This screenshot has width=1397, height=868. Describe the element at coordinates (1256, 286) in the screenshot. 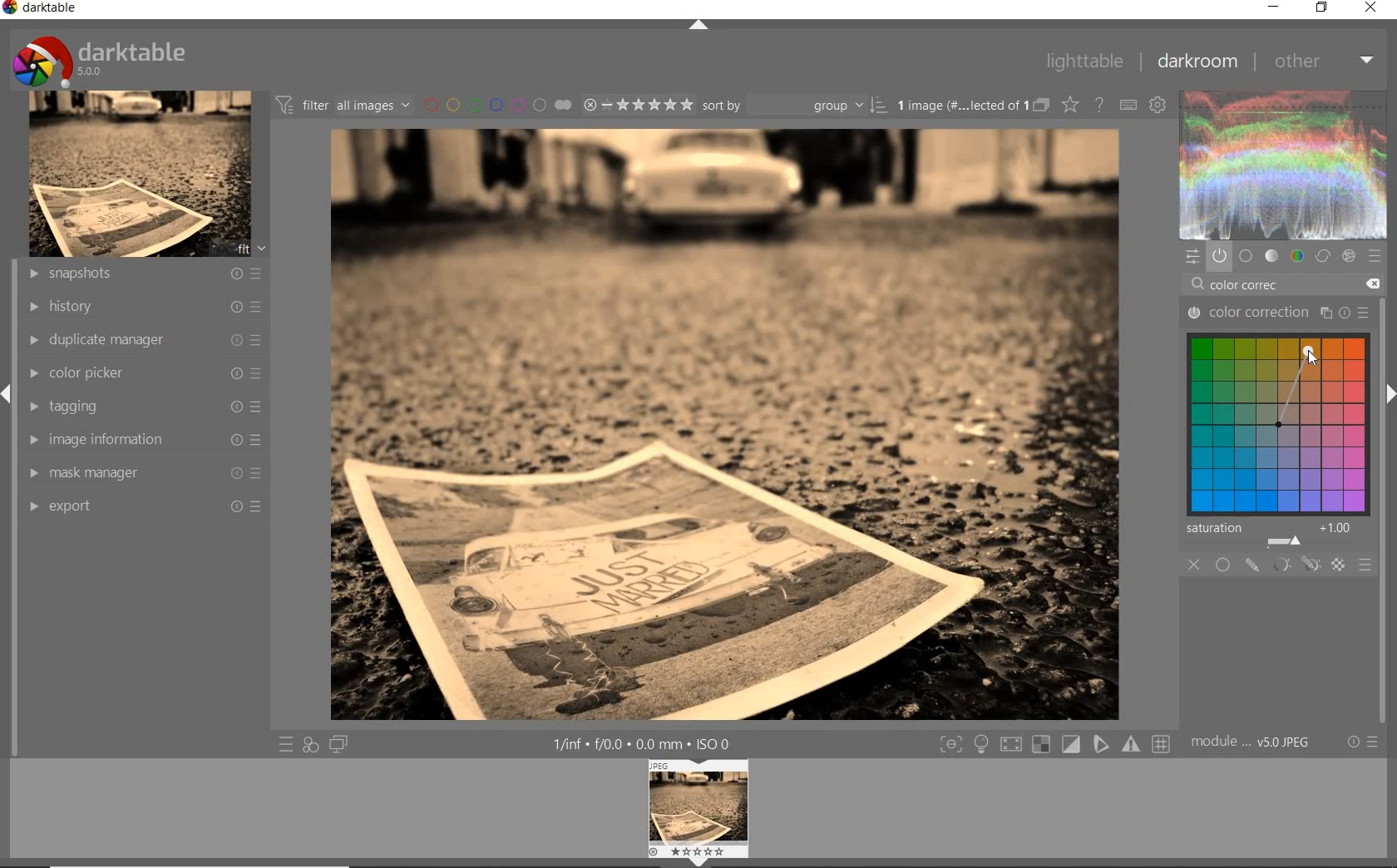

I see `color correc` at that location.